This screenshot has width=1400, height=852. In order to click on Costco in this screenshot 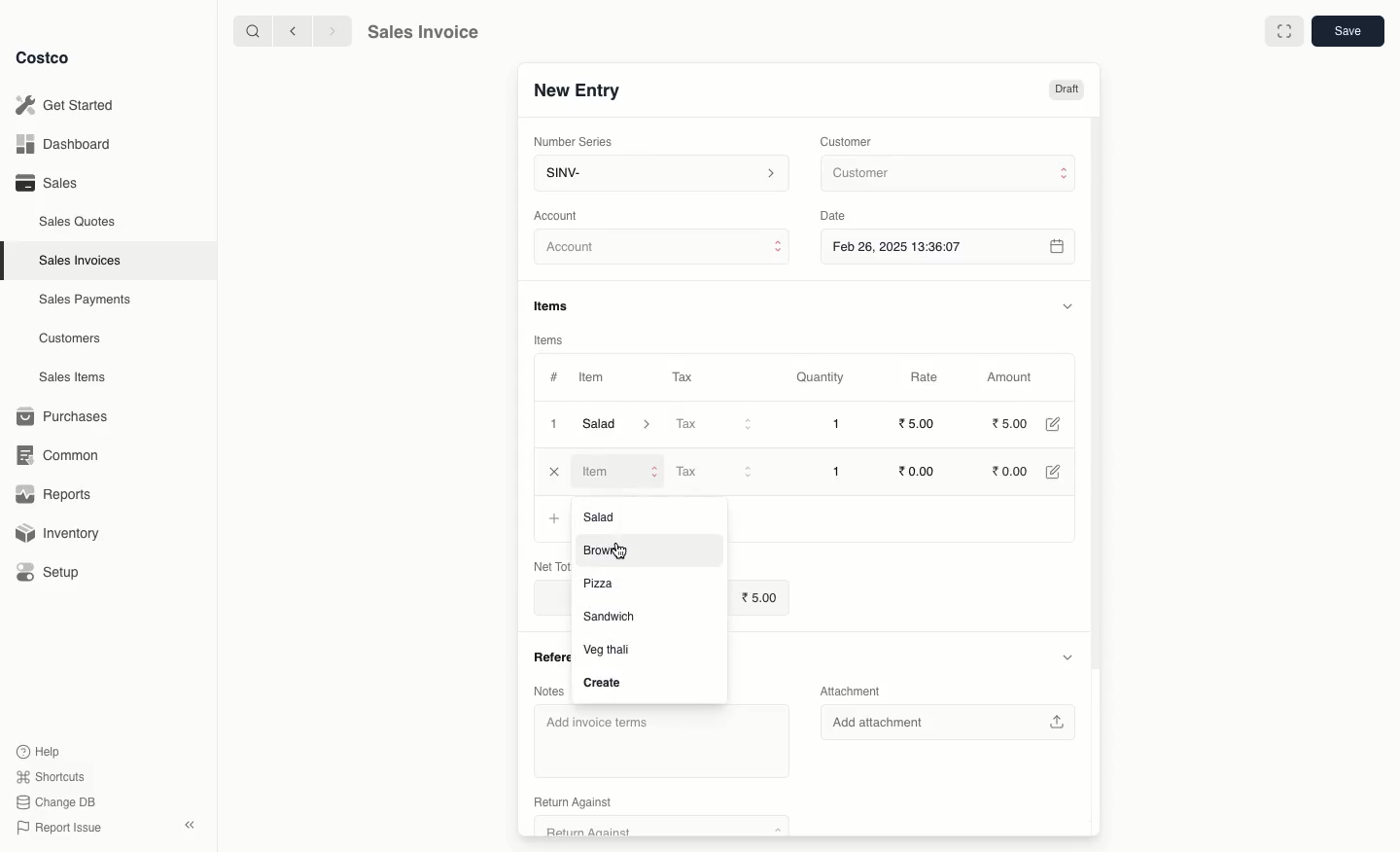, I will do `click(48, 58)`.